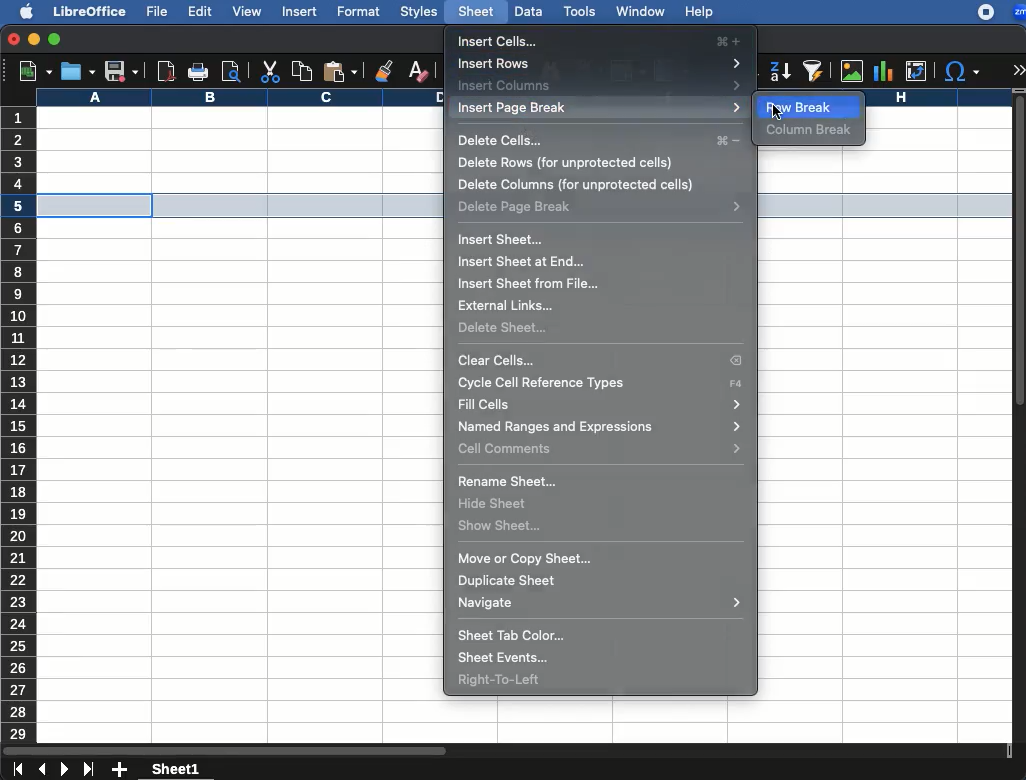 Image resolution: width=1026 pixels, height=780 pixels. I want to click on libreoffice, so click(88, 11).